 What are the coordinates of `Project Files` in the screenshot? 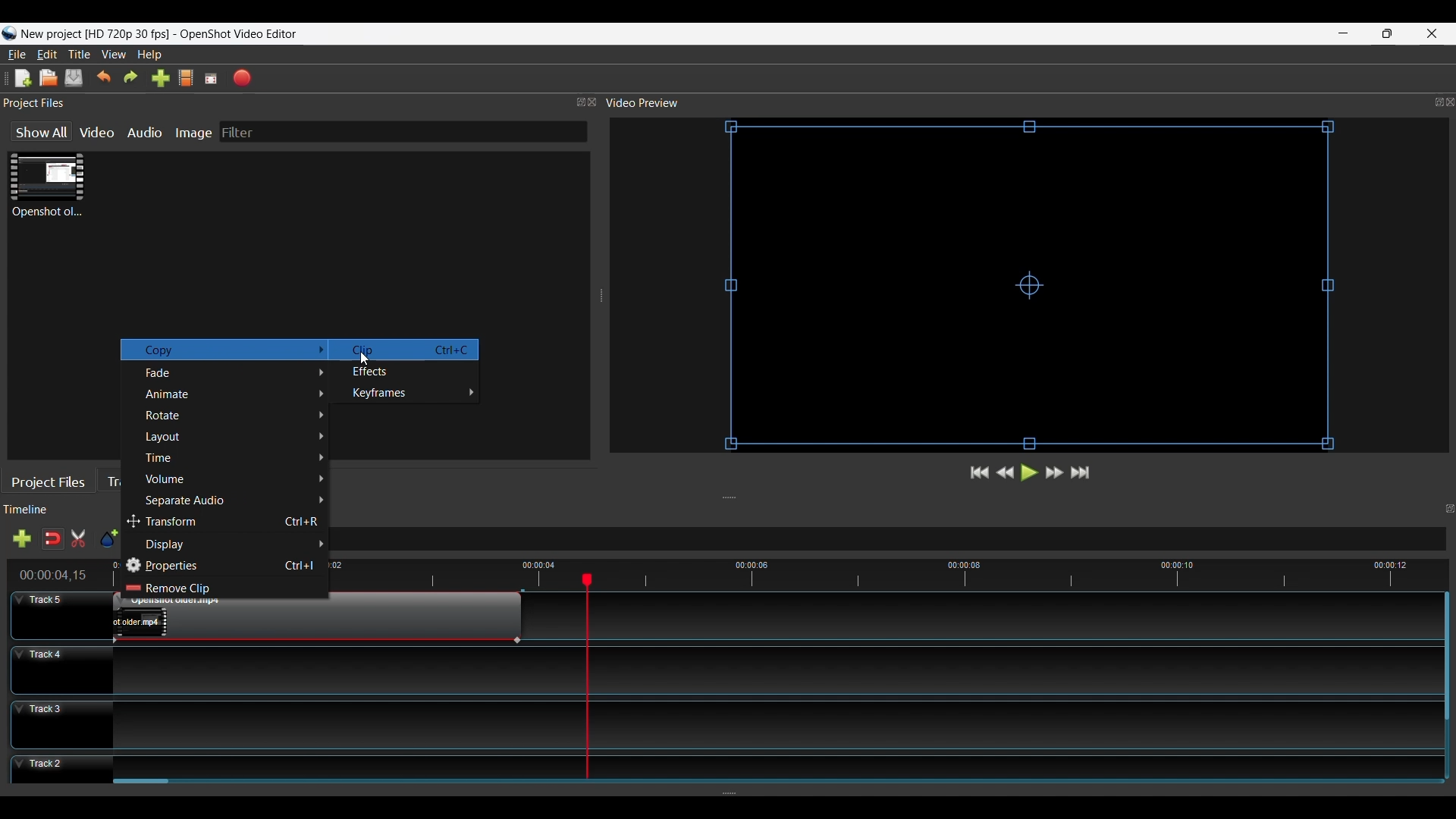 It's located at (52, 481).